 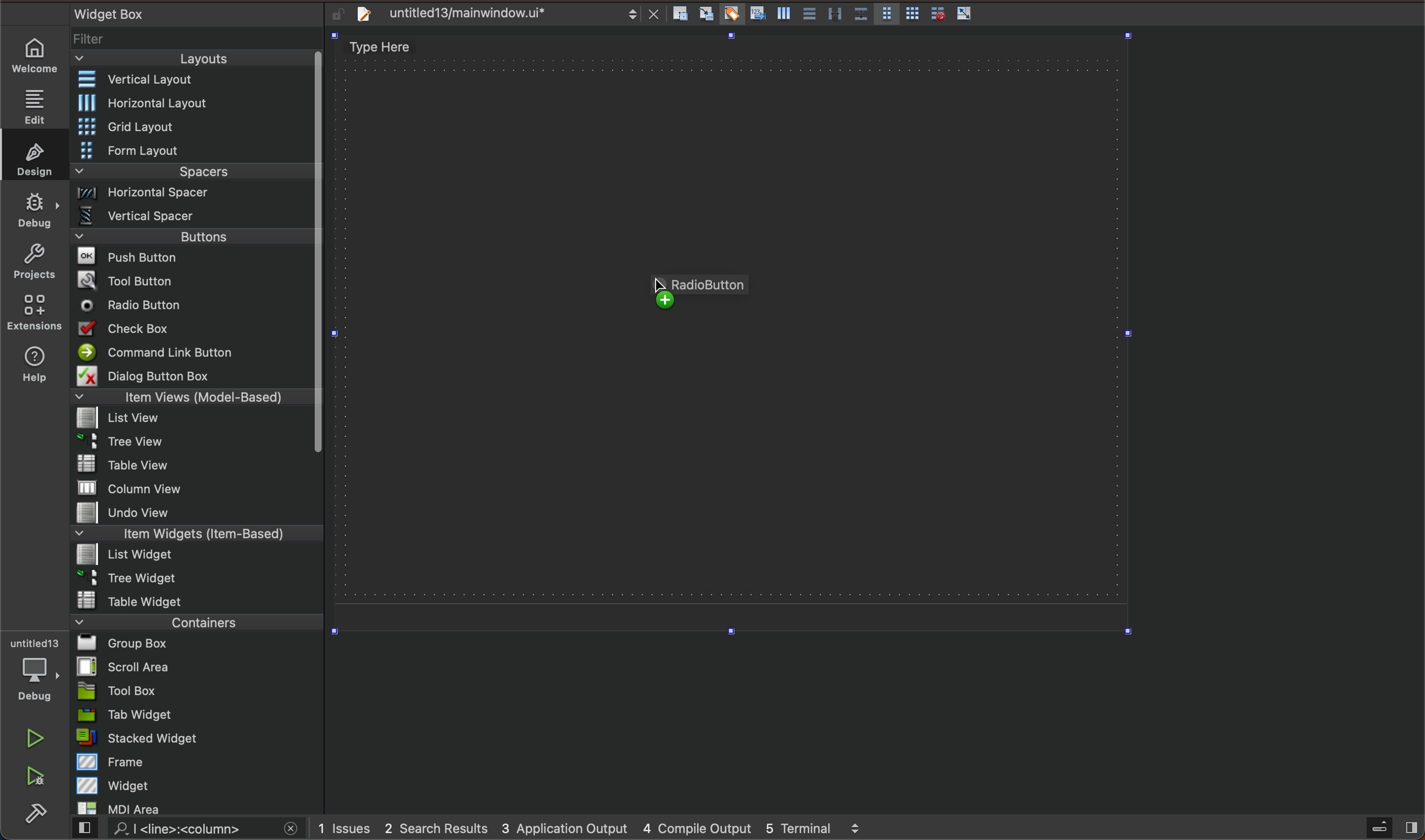 What do you see at coordinates (886, 15) in the screenshot?
I see `` at bounding box center [886, 15].